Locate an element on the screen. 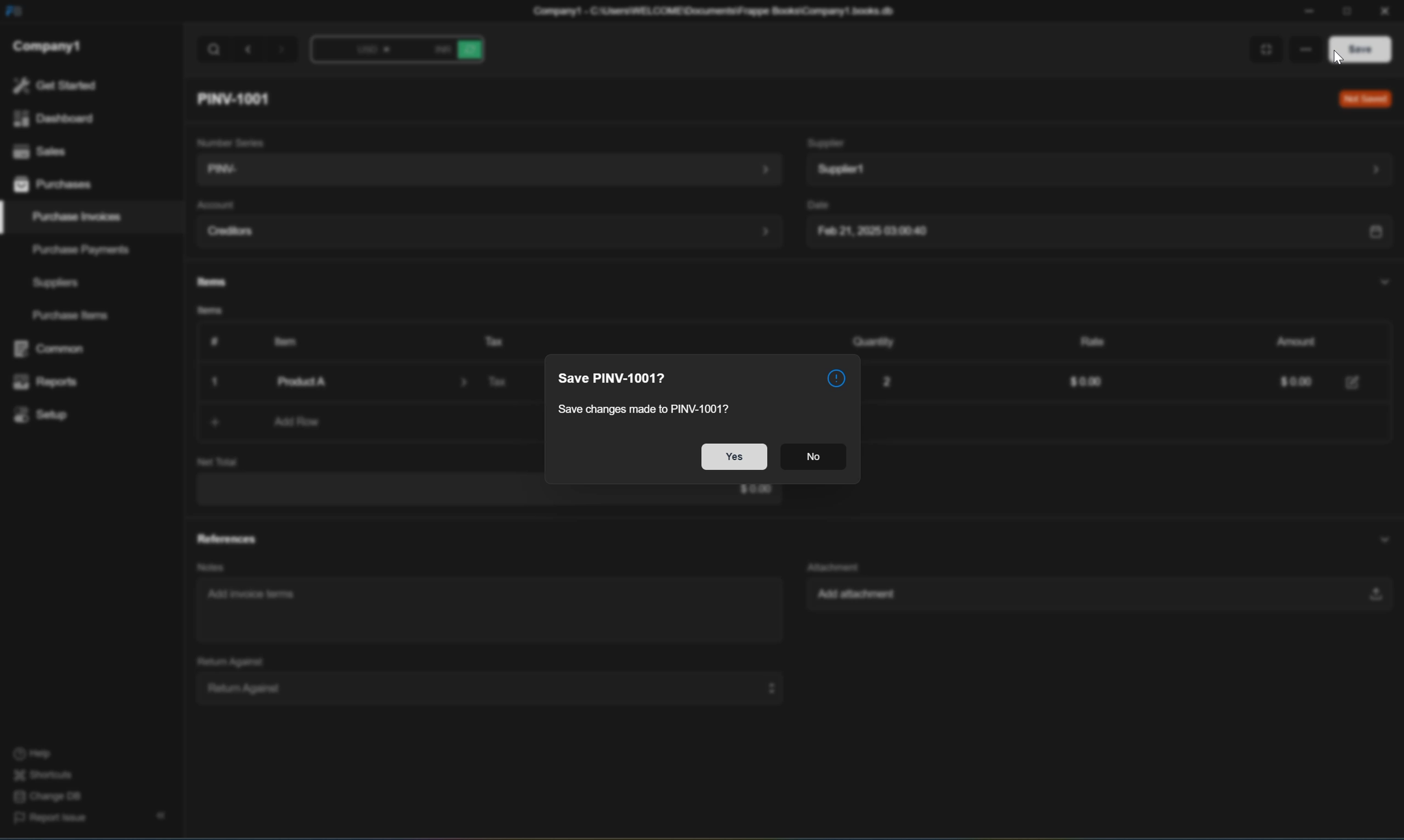 The image size is (1404, 840). Number Series is located at coordinates (228, 140).